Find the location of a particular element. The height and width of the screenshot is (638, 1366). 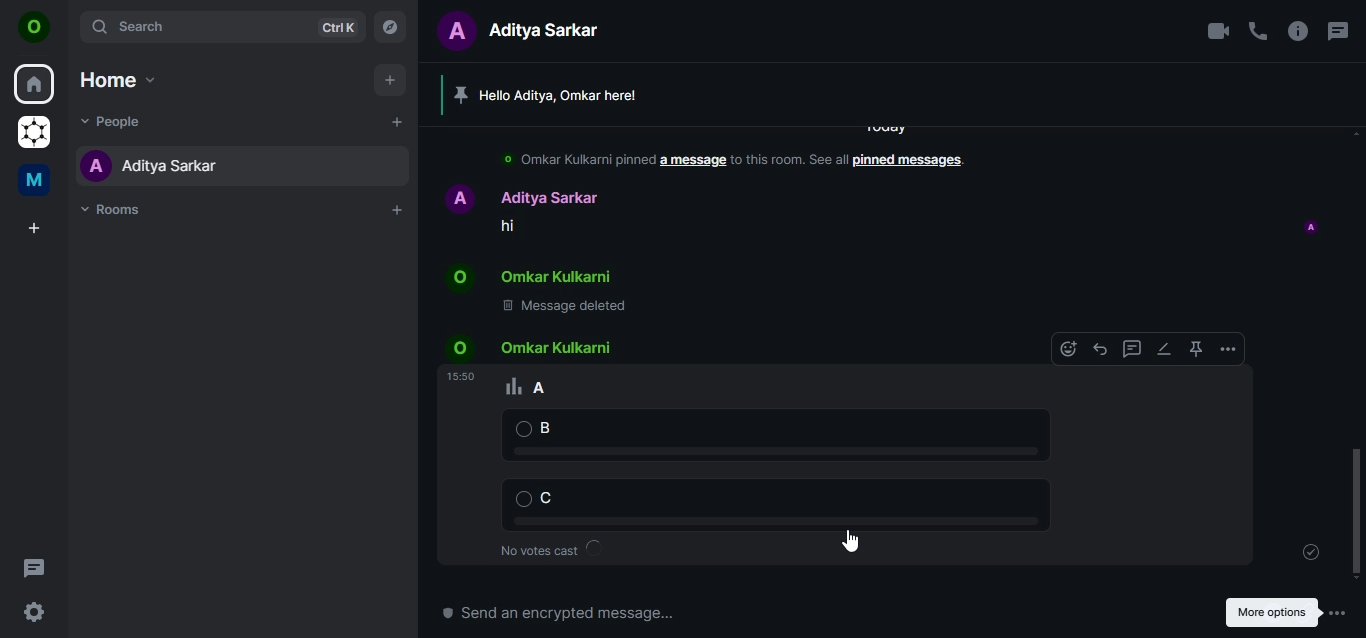

rooms is located at coordinates (117, 210).